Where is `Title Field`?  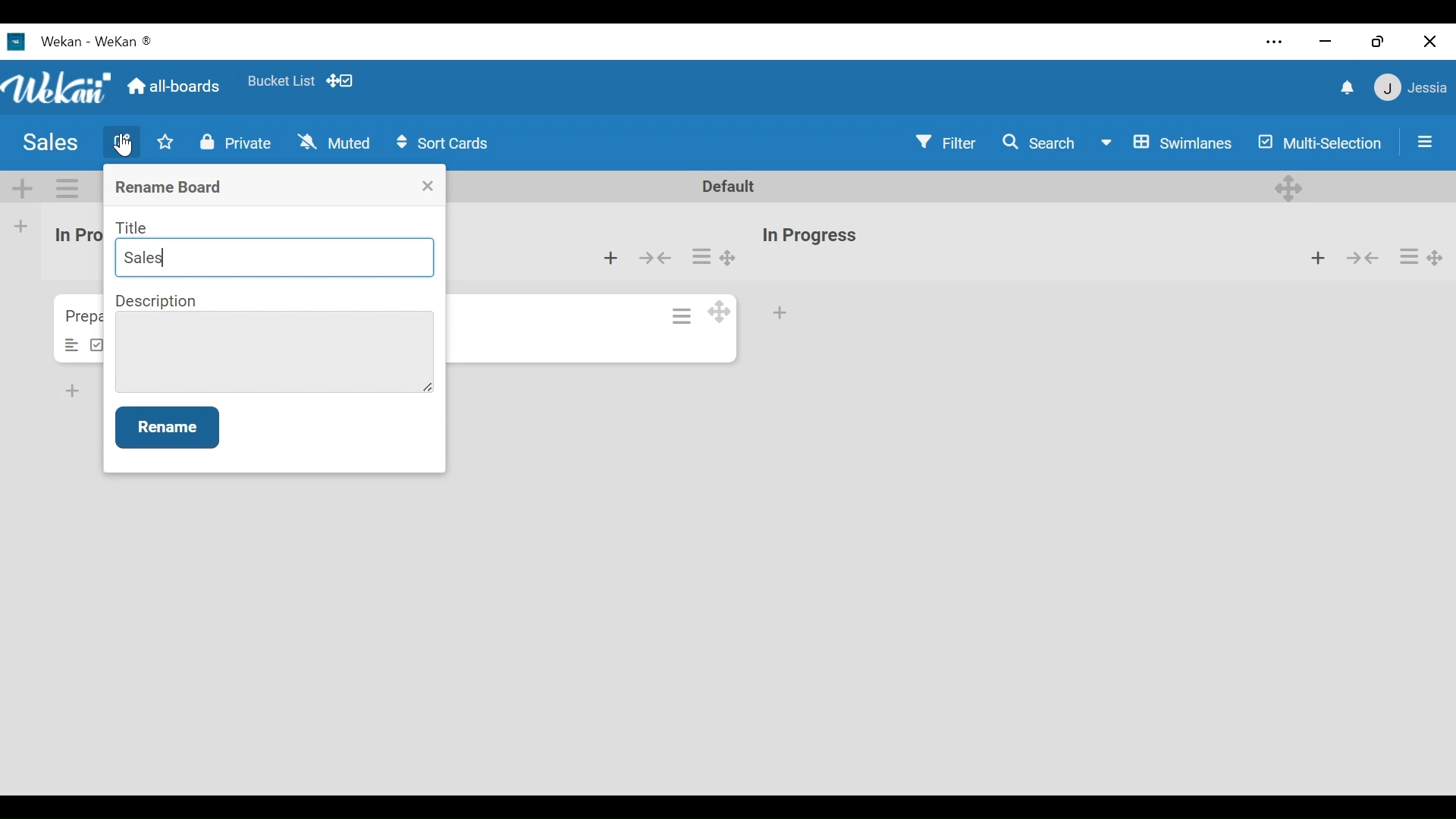
Title Field is located at coordinates (276, 258).